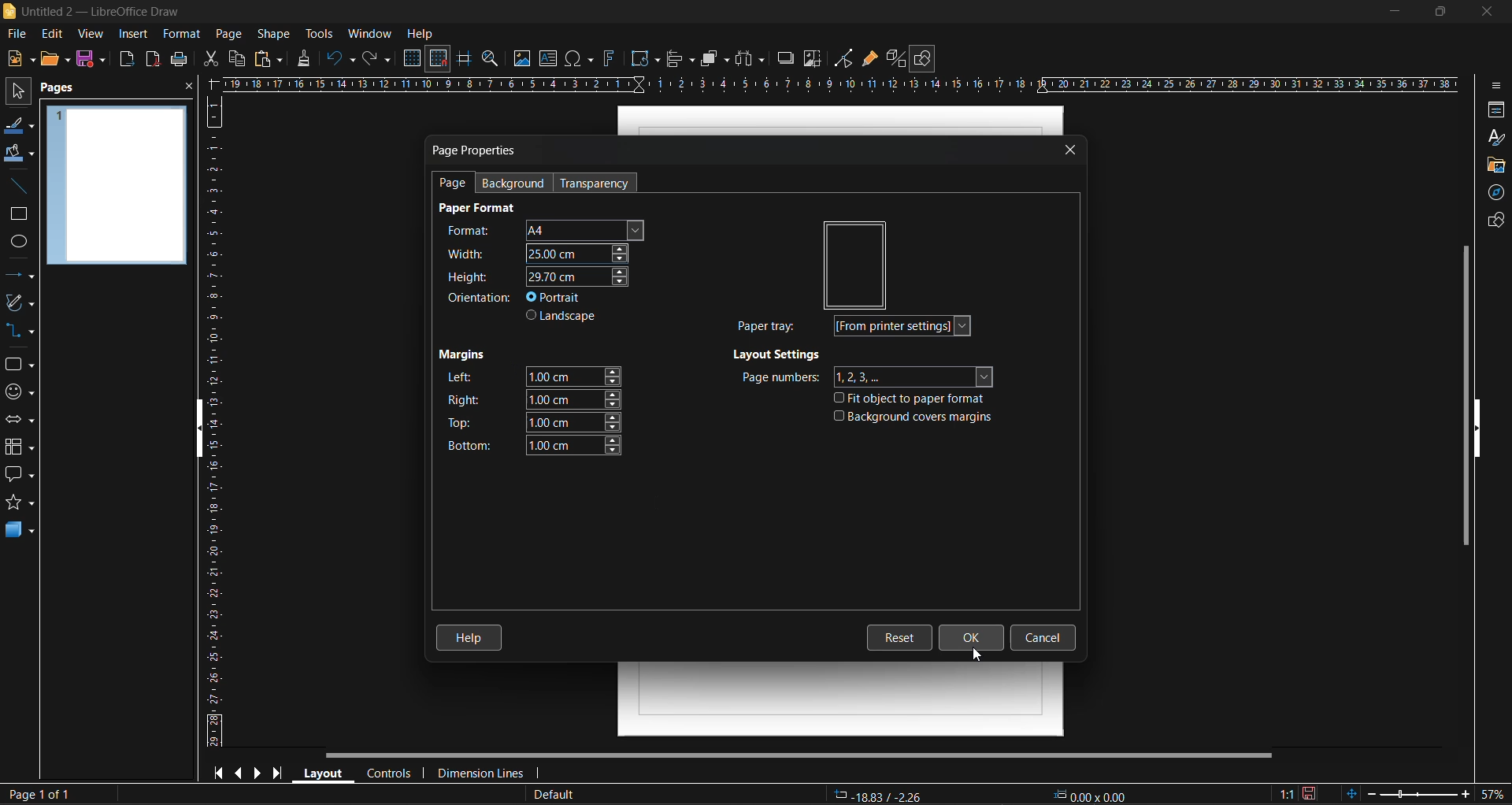 The height and width of the screenshot is (805, 1512). Describe the element at coordinates (549, 59) in the screenshot. I see `textbox` at that location.